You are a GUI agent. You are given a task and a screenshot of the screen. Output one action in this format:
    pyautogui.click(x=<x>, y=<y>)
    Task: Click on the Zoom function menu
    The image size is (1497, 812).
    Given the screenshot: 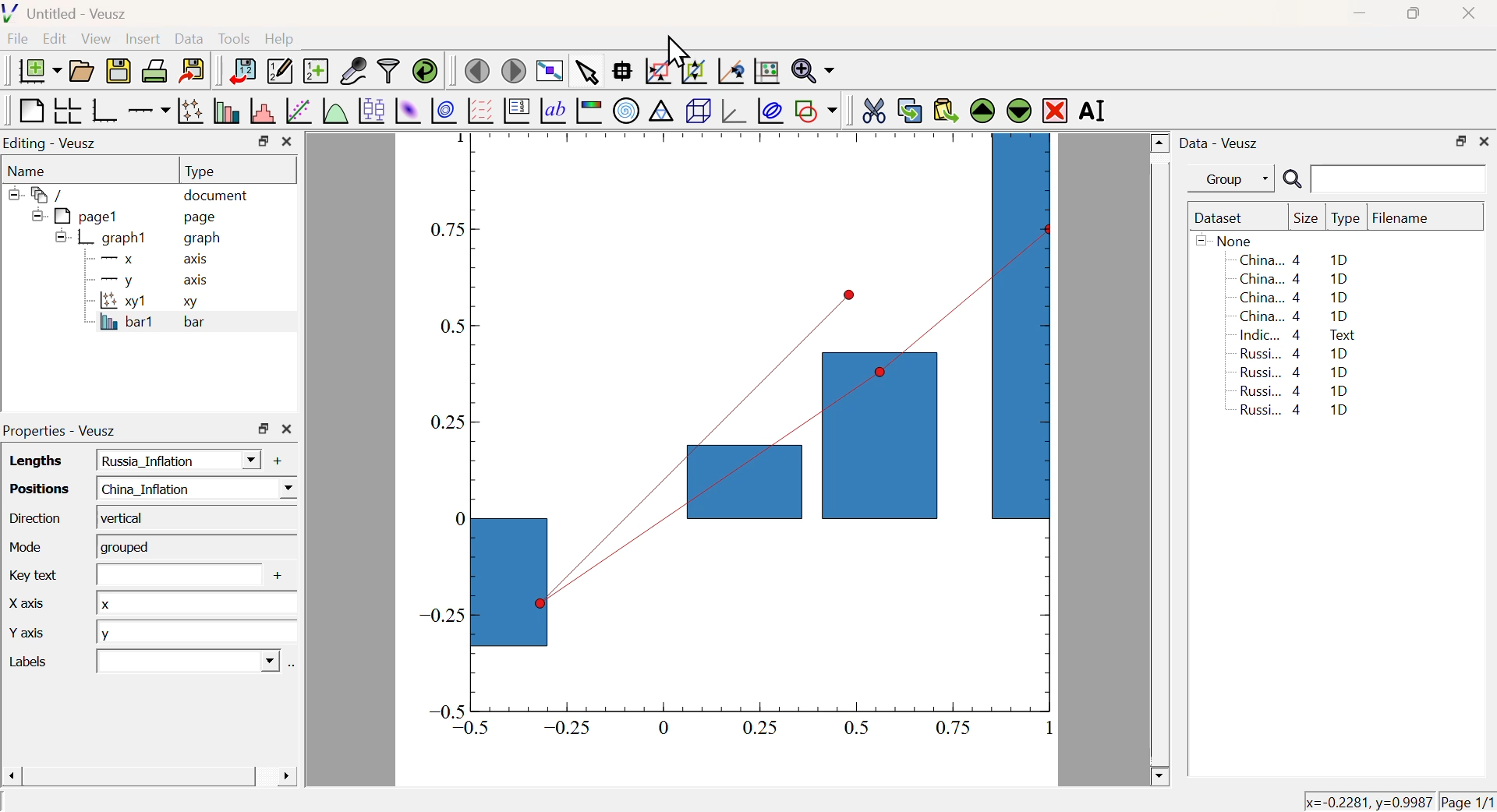 What is the action you would take?
    pyautogui.click(x=813, y=69)
    